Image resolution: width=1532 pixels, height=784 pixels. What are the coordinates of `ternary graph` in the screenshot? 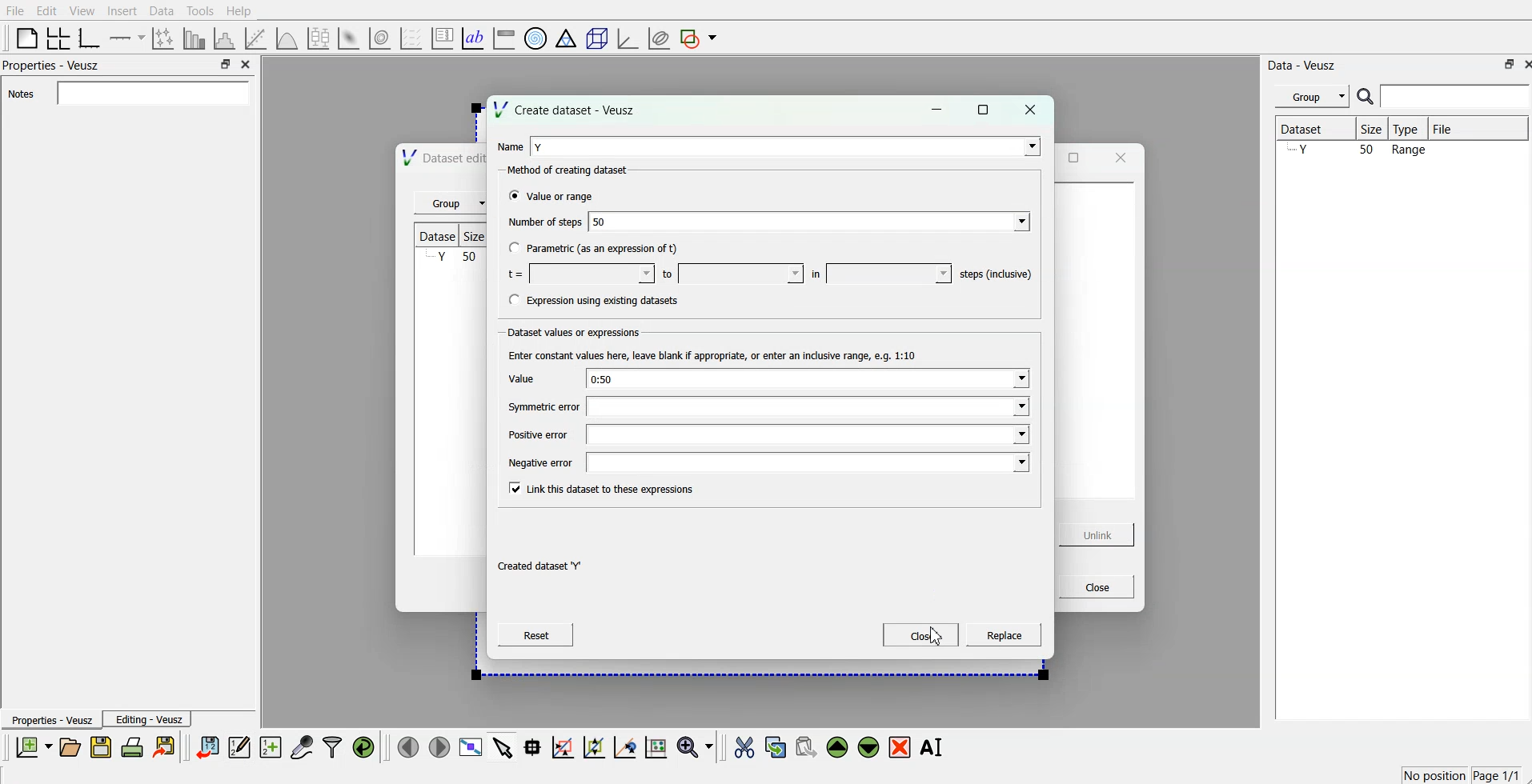 It's located at (566, 37).